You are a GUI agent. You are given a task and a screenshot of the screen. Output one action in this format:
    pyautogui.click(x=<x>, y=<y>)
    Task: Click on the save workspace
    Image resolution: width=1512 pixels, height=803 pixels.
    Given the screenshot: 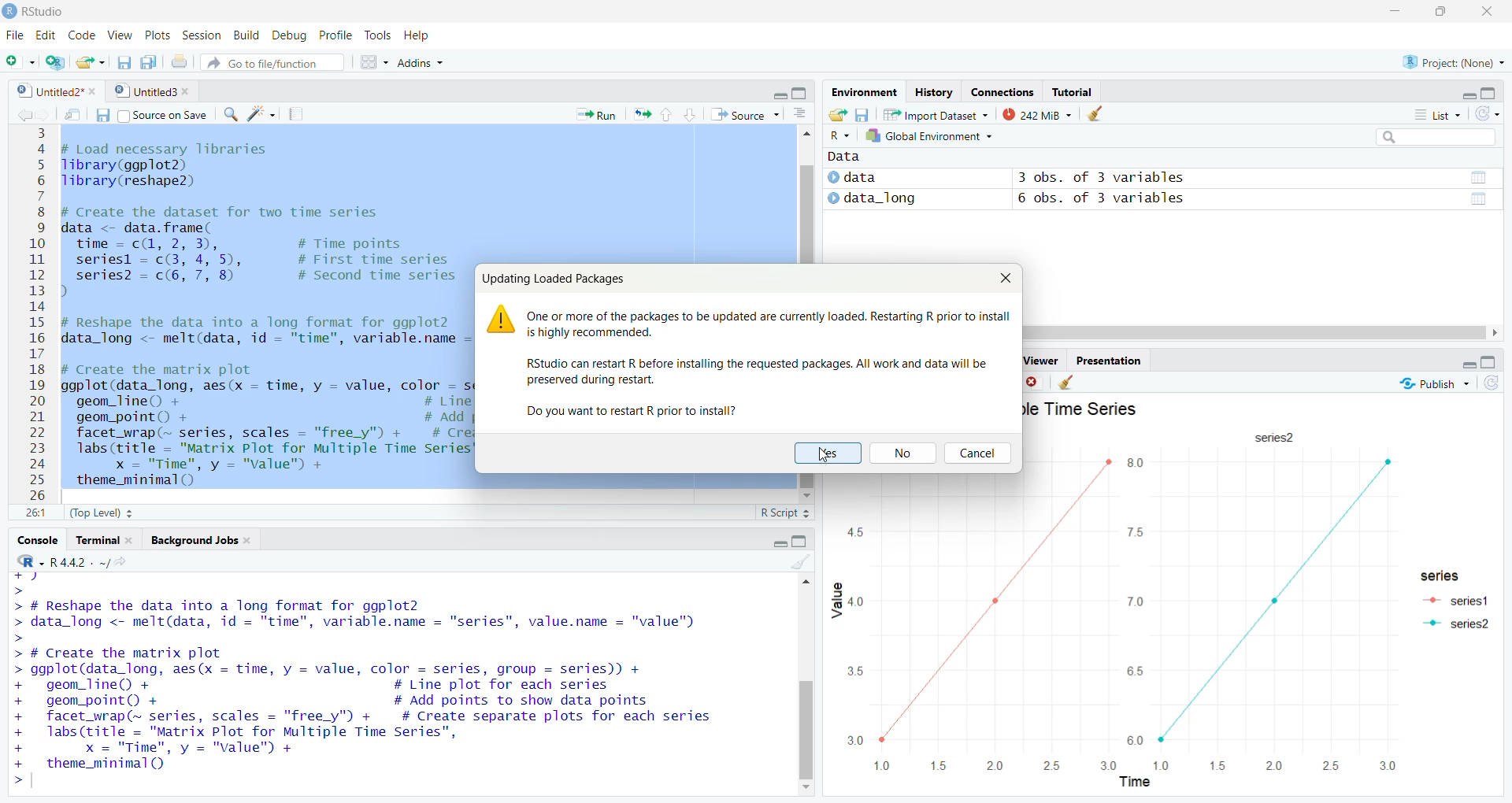 What is the action you would take?
    pyautogui.click(x=862, y=113)
    